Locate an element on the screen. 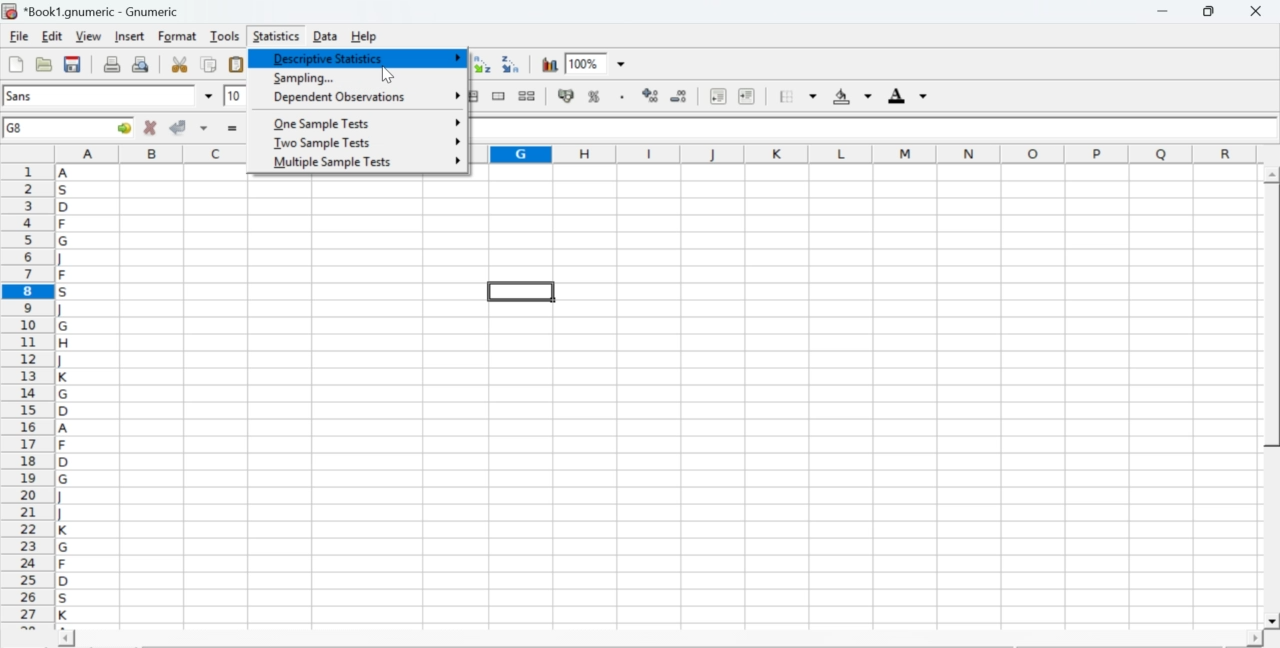 This screenshot has width=1280, height=648. one sample tests is located at coordinates (324, 124).